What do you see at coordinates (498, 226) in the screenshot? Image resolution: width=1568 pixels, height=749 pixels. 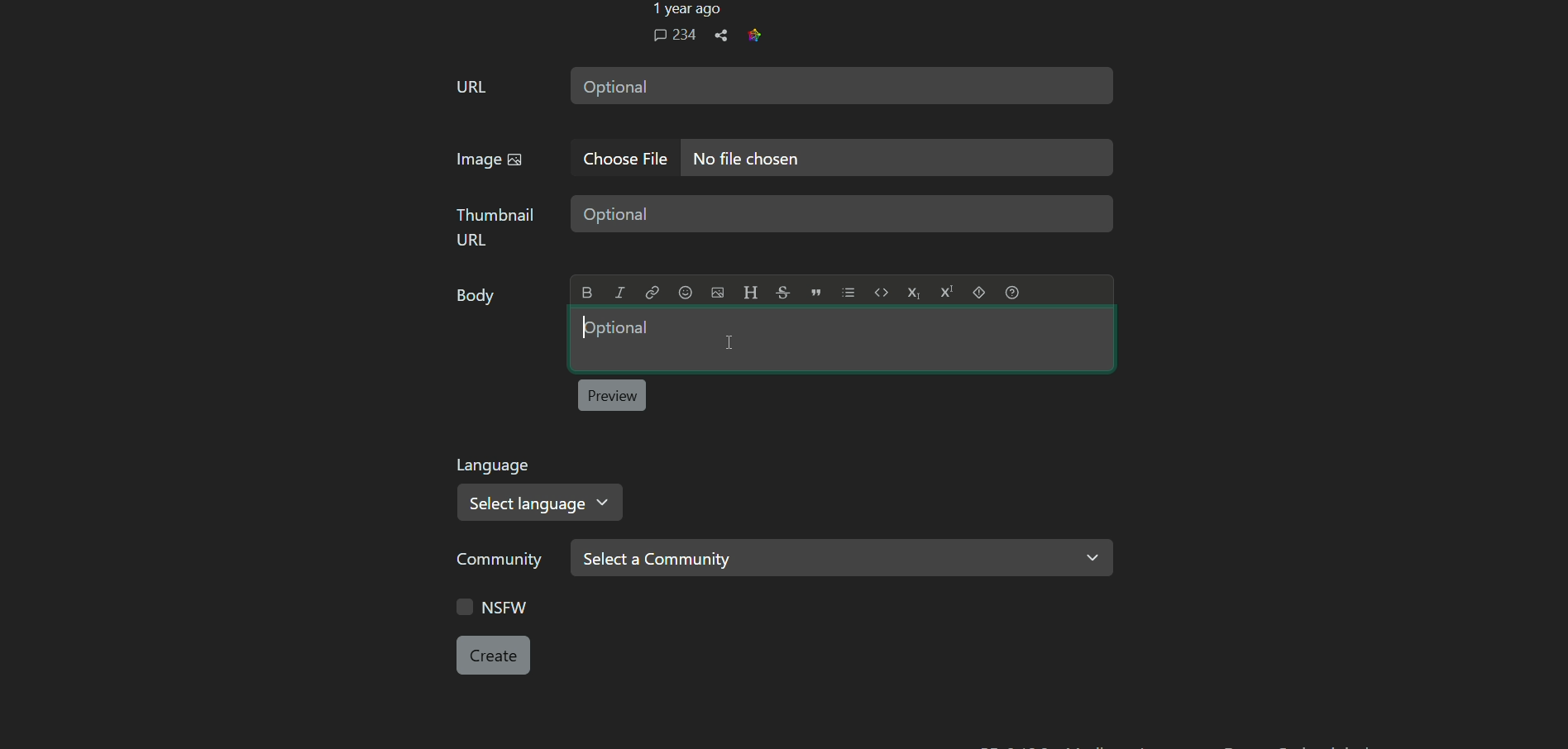 I see `thumbnail URL` at bounding box center [498, 226].